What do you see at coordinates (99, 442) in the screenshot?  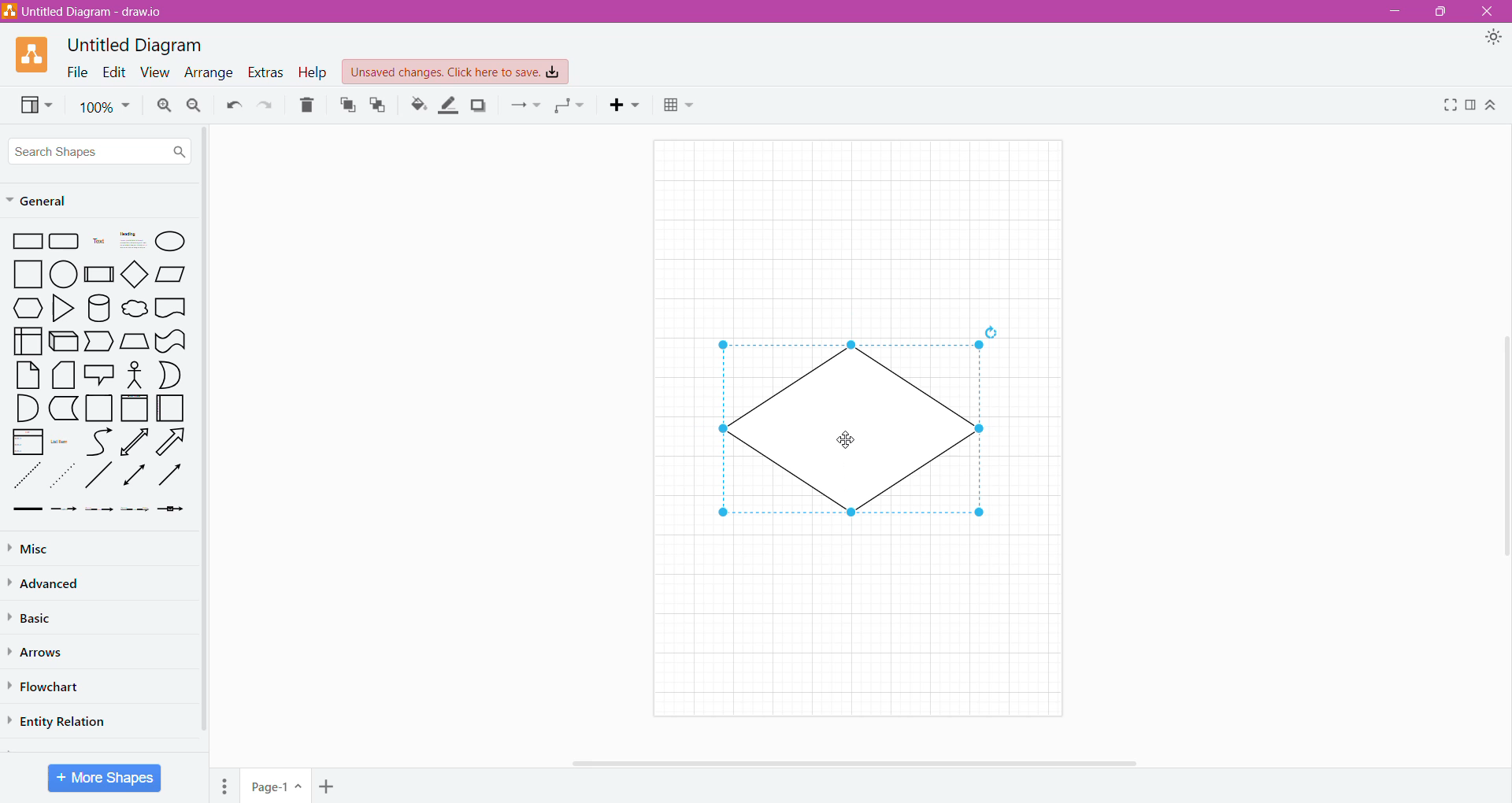 I see `Curves` at bounding box center [99, 442].